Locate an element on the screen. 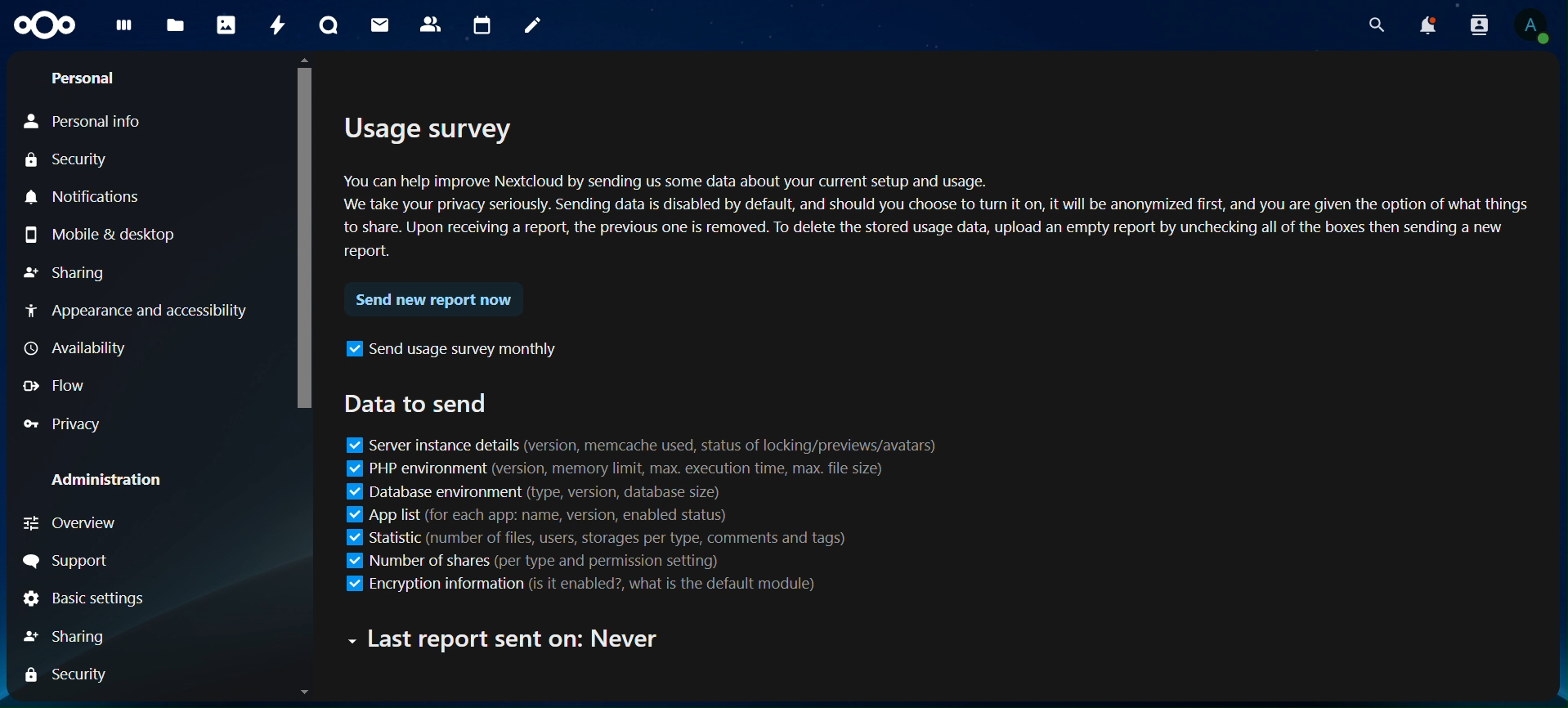 This screenshot has height=708, width=1568. Administration is located at coordinates (110, 481).